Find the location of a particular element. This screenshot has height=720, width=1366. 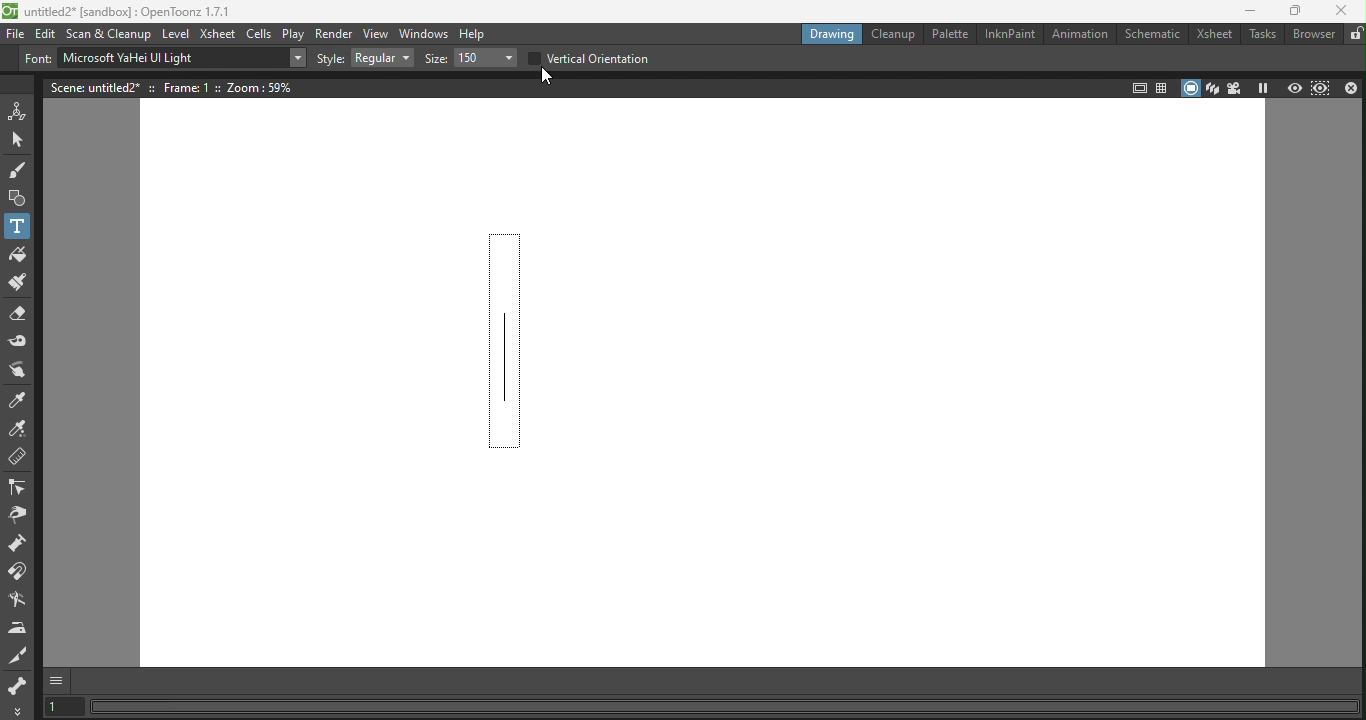

Geometric tool is located at coordinates (19, 196).